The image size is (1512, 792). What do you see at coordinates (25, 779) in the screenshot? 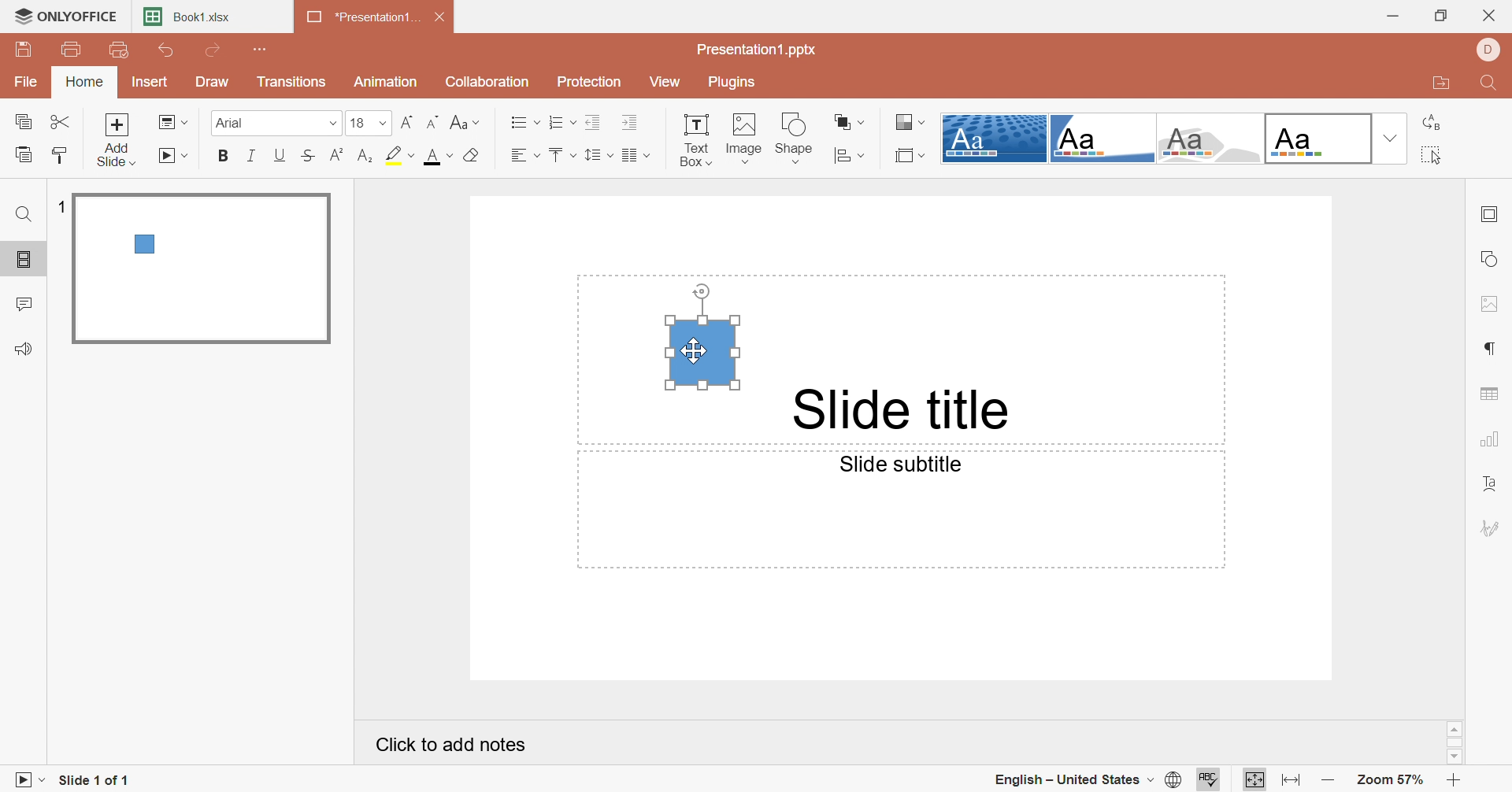
I see `Start slideshow` at bounding box center [25, 779].